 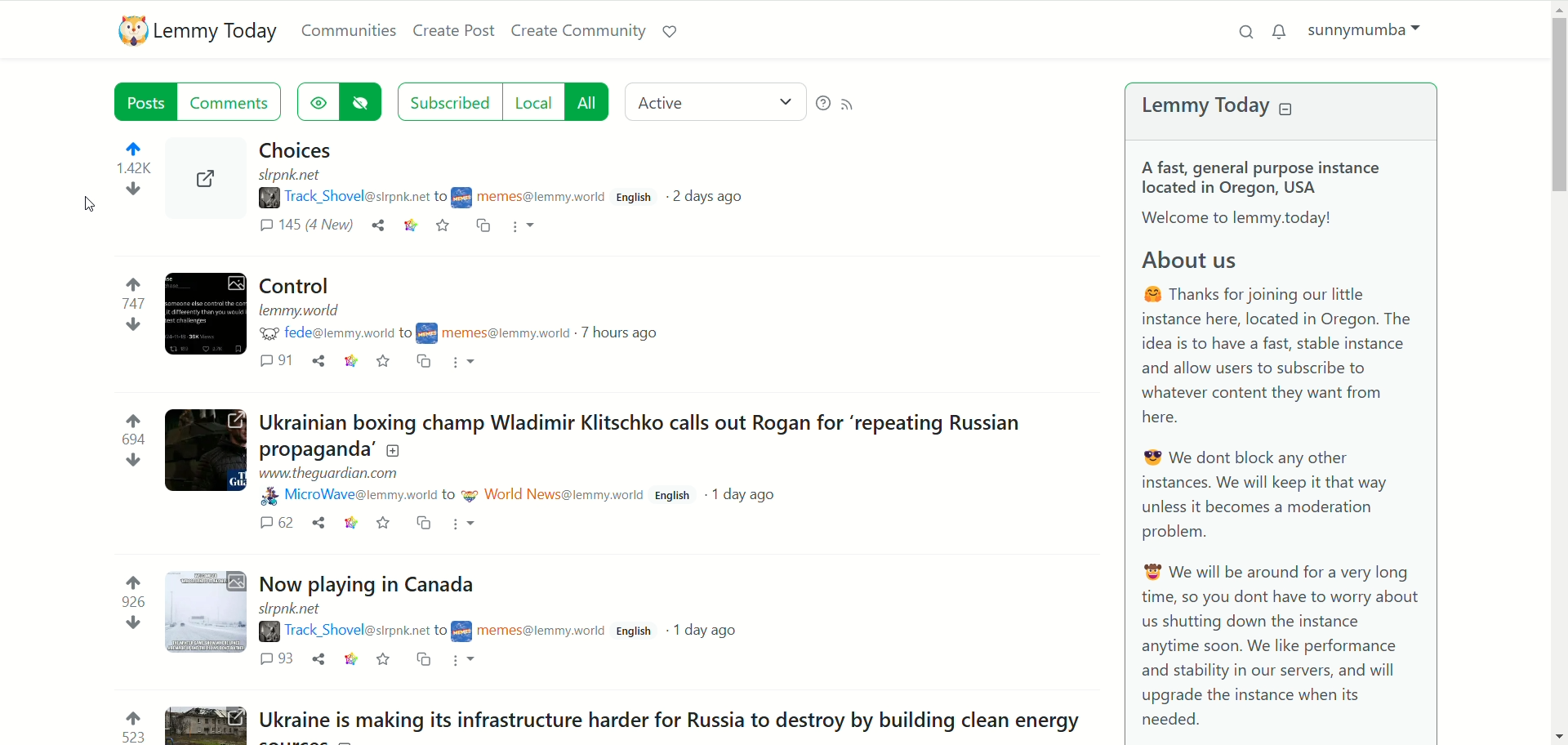 I want to click on all, so click(x=591, y=101).